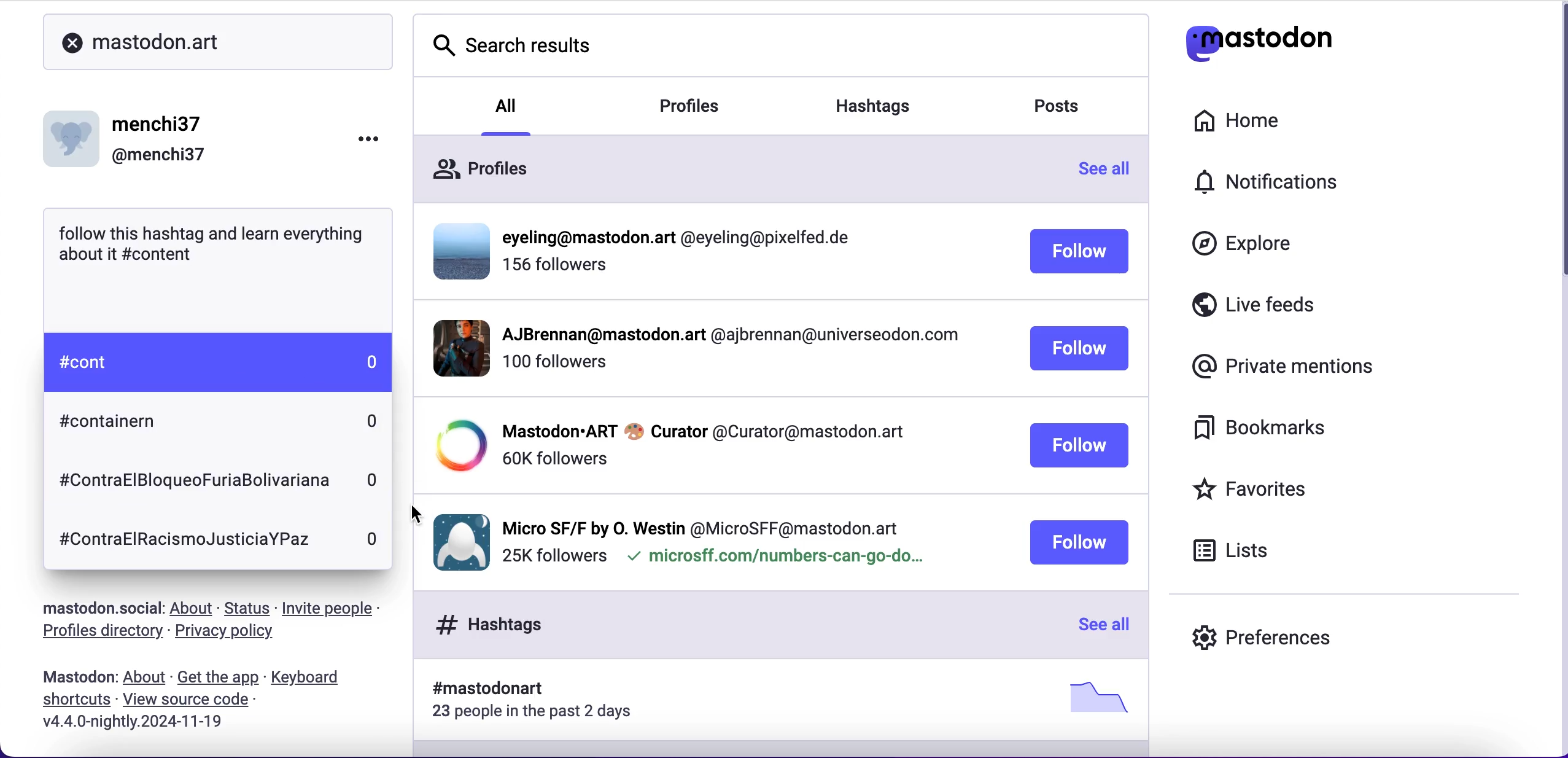  What do you see at coordinates (371, 481) in the screenshot?
I see `0` at bounding box center [371, 481].